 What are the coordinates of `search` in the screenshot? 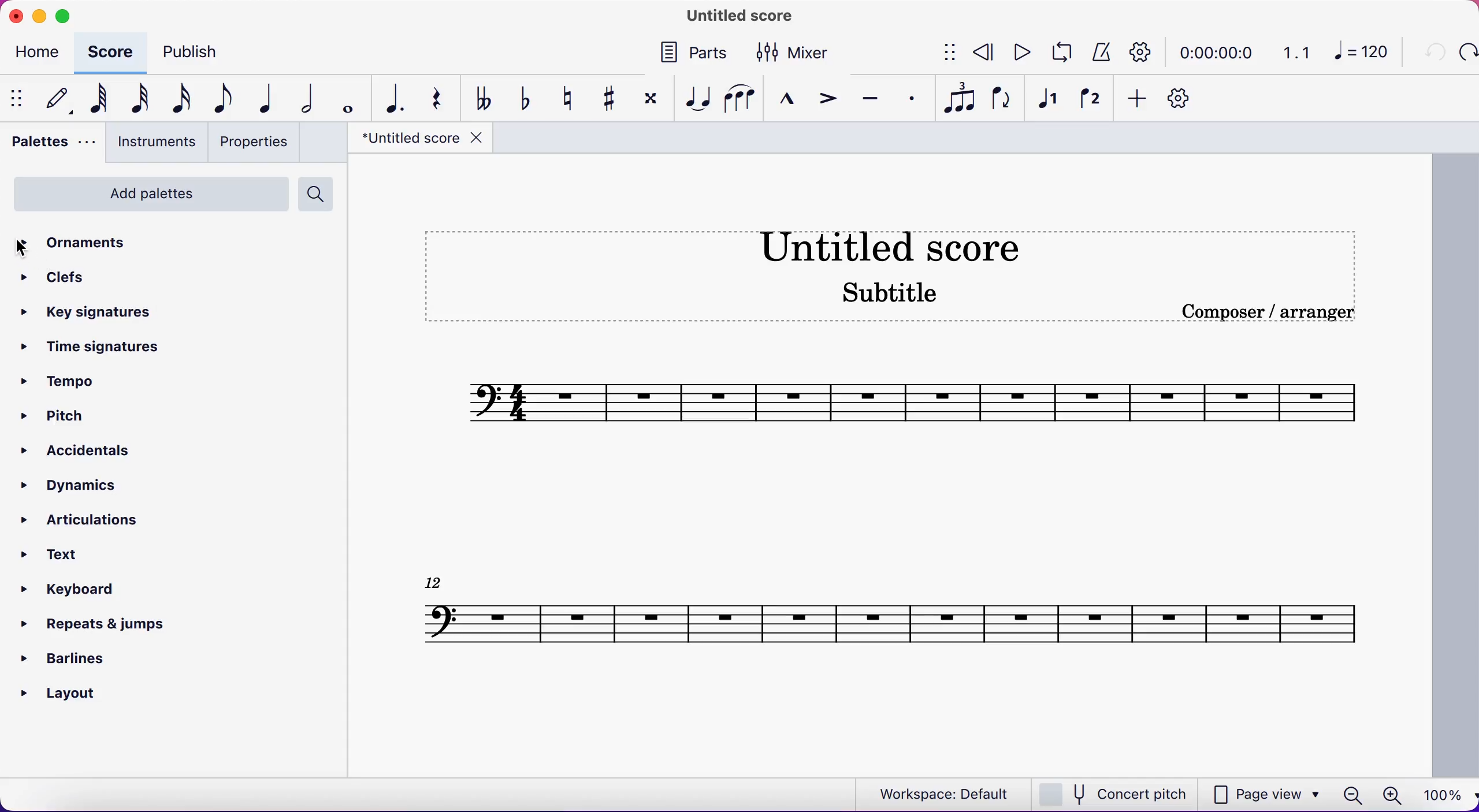 It's located at (321, 195).